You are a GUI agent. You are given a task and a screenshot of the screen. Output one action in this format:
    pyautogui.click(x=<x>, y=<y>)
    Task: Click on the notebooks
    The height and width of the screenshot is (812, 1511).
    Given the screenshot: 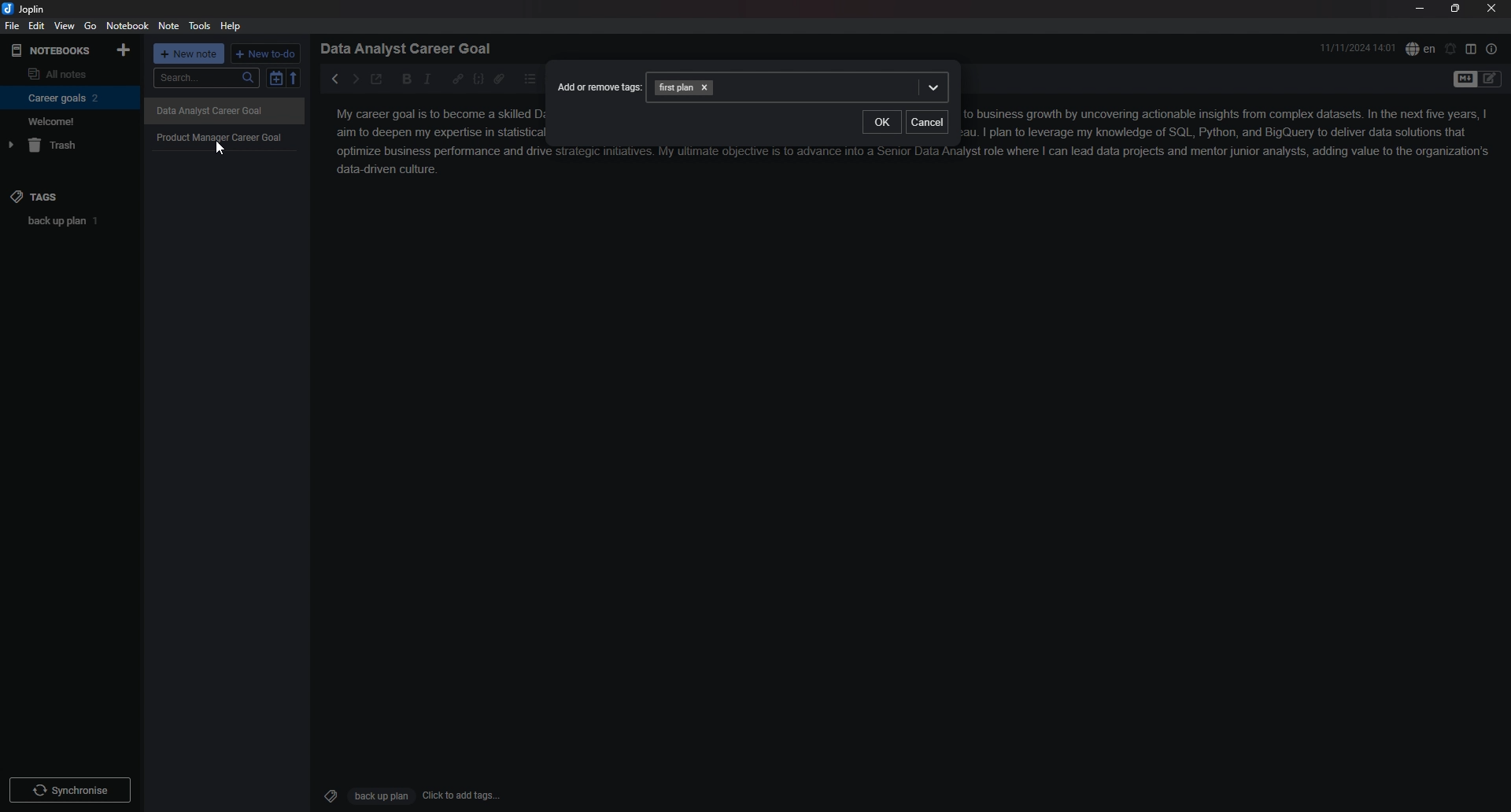 What is the action you would take?
    pyautogui.click(x=53, y=51)
    